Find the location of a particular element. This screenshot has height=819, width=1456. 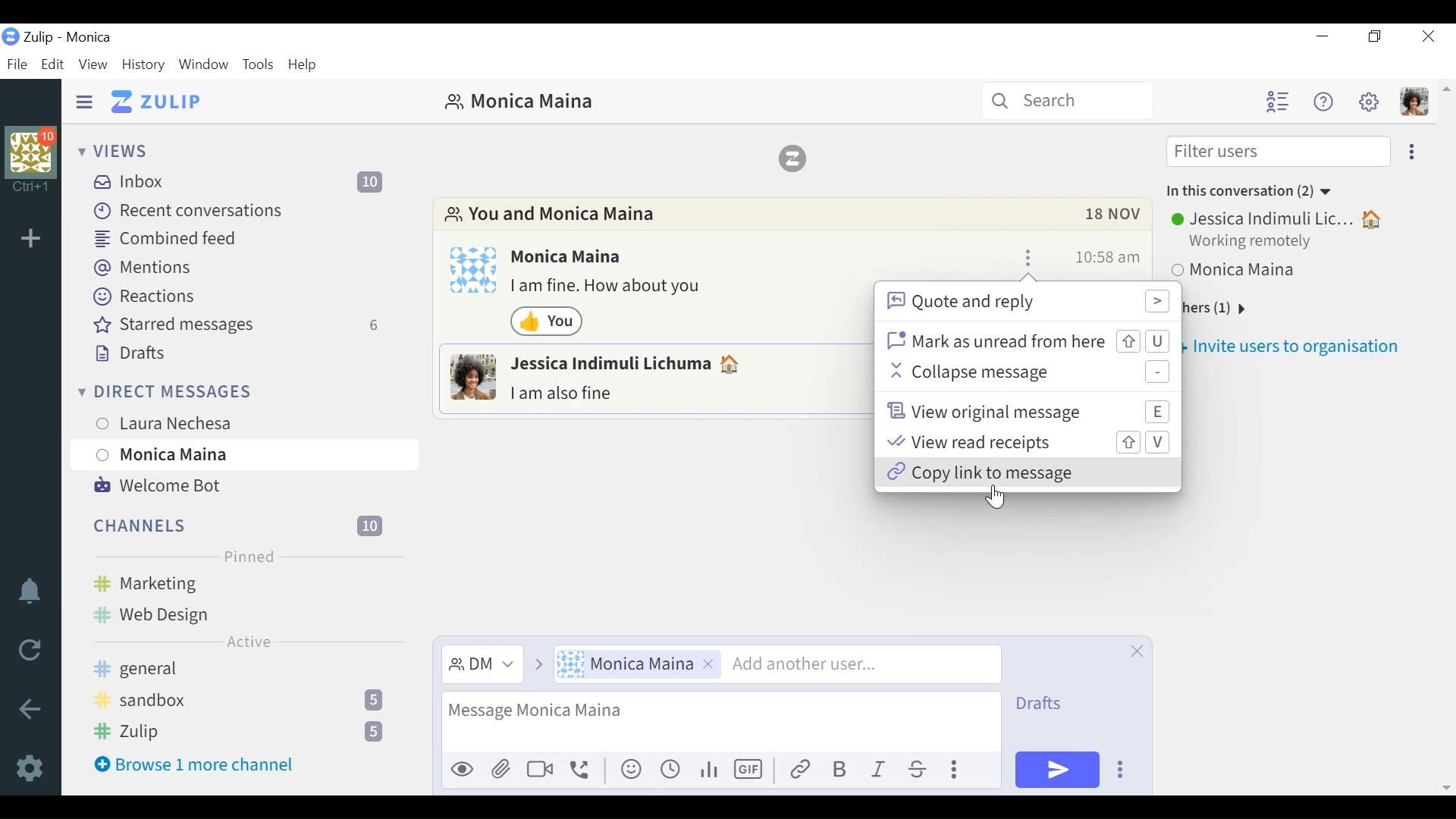

vertical scrollbar is located at coordinates (1445, 438).